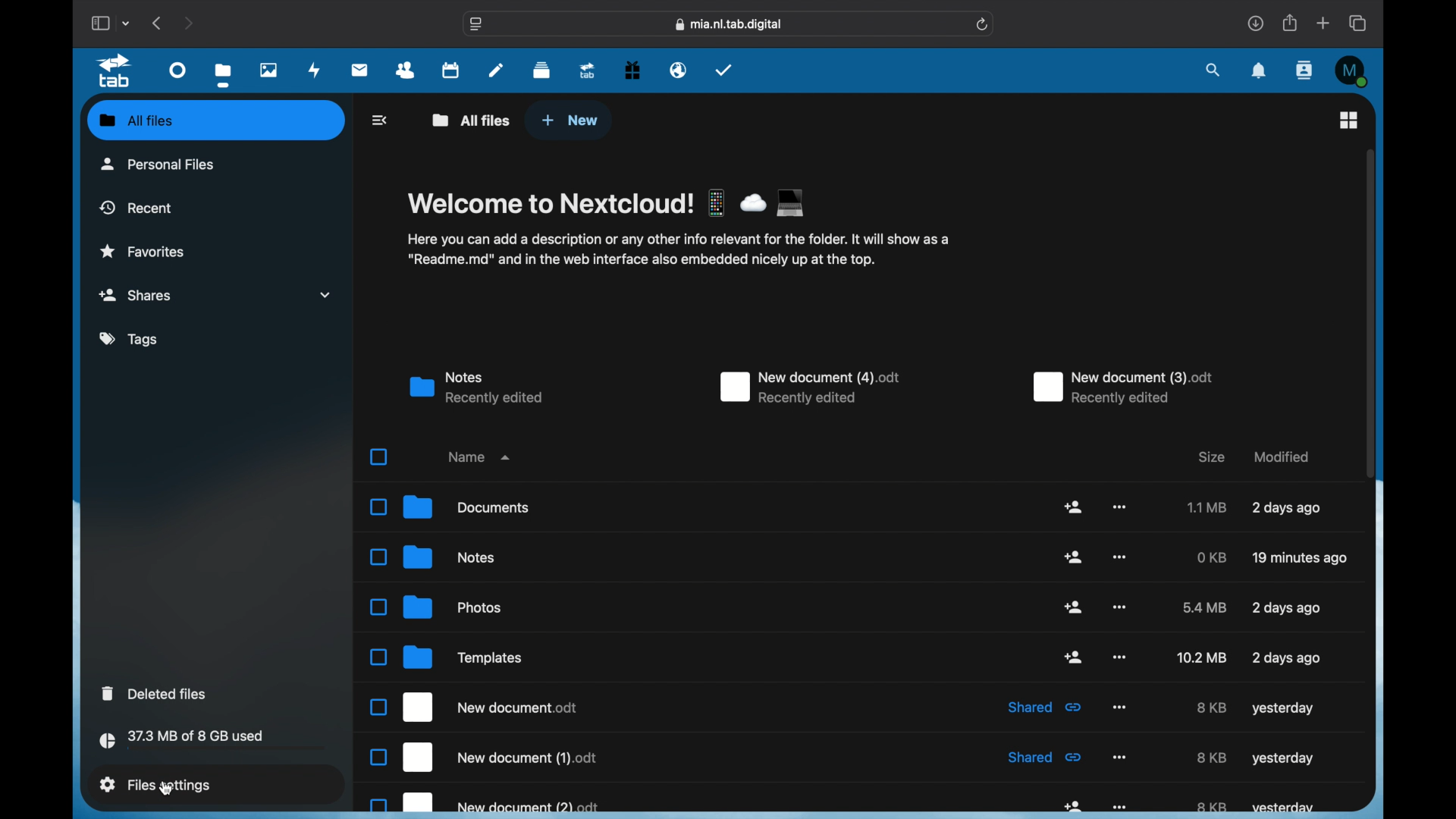 This screenshot has width=1456, height=819. What do you see at coordinates (1073, 557) in the screenshot?
I see `shared` at bounding box center [1073, 557].